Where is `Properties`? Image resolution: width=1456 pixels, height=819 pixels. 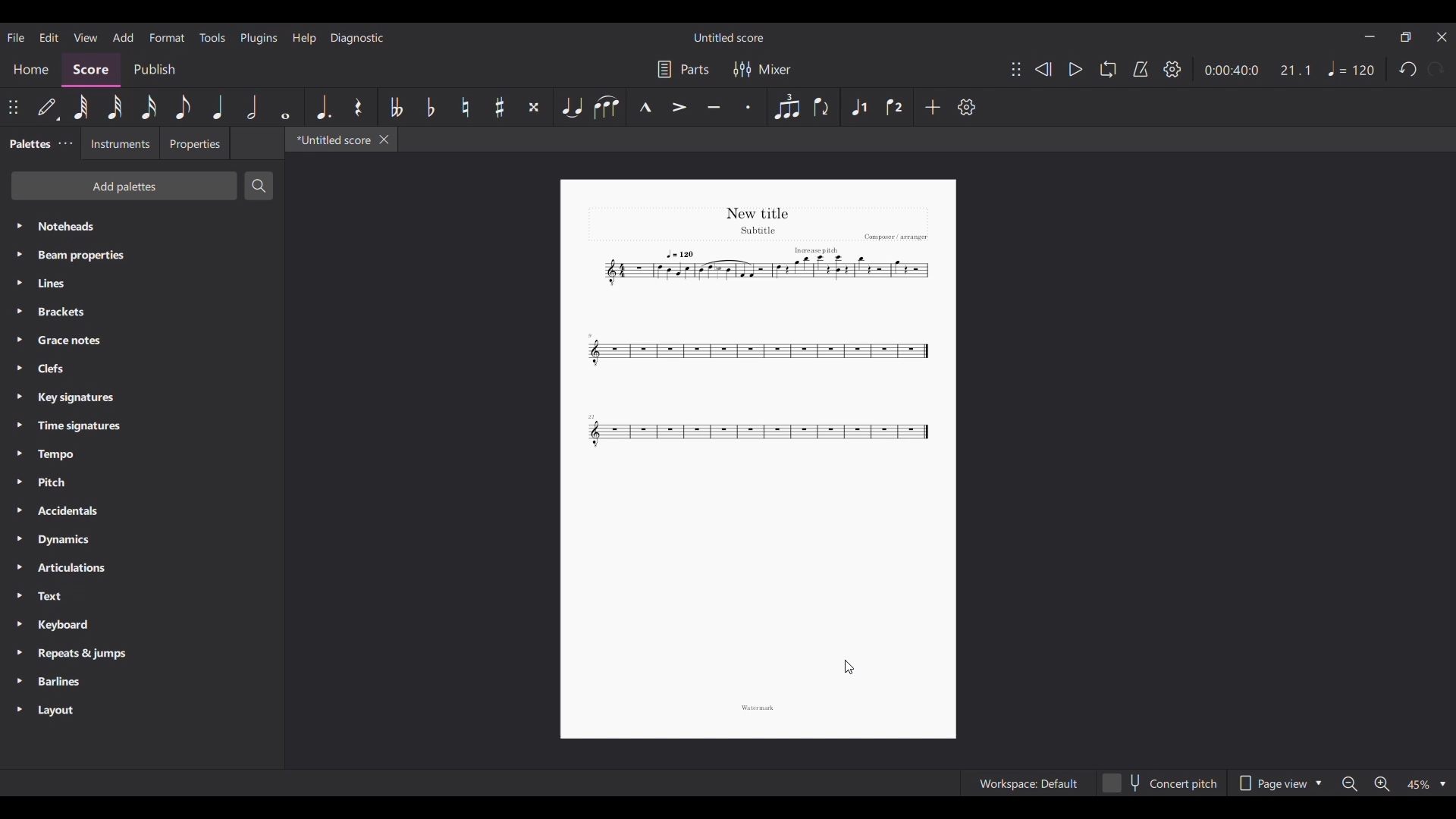
Properties is located at coordinates (194, 143).